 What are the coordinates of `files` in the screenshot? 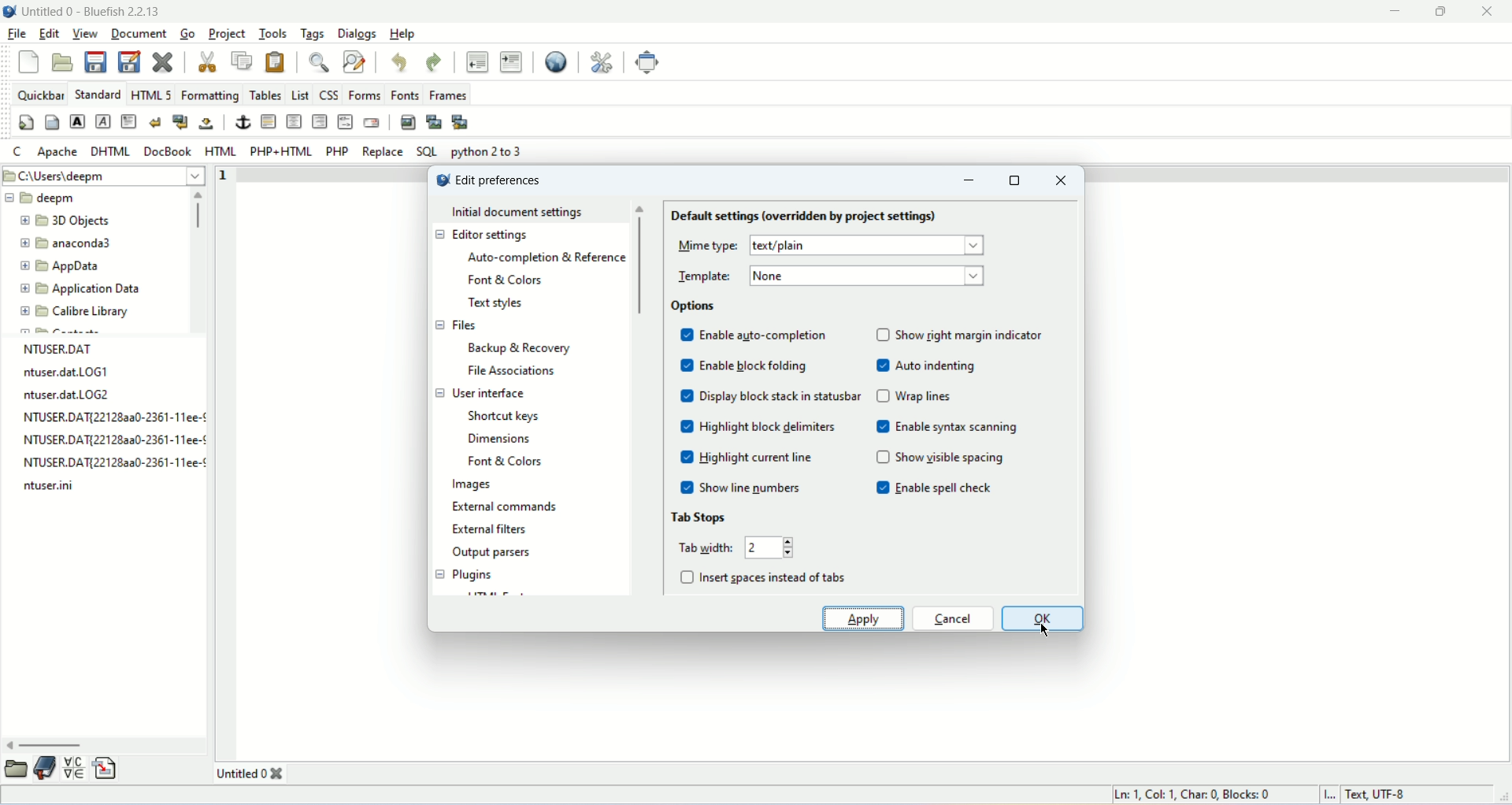 It's located at (454, 325).